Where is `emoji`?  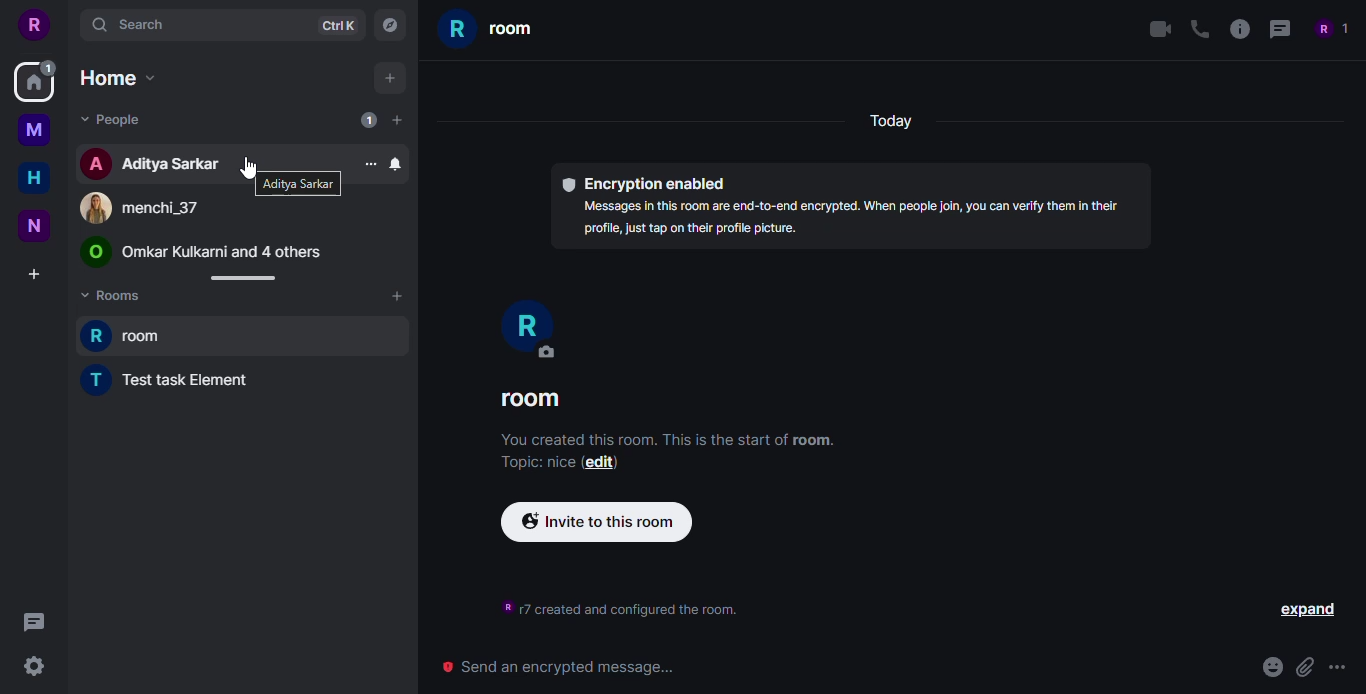 emoji is located at coordinates (1272, 667).